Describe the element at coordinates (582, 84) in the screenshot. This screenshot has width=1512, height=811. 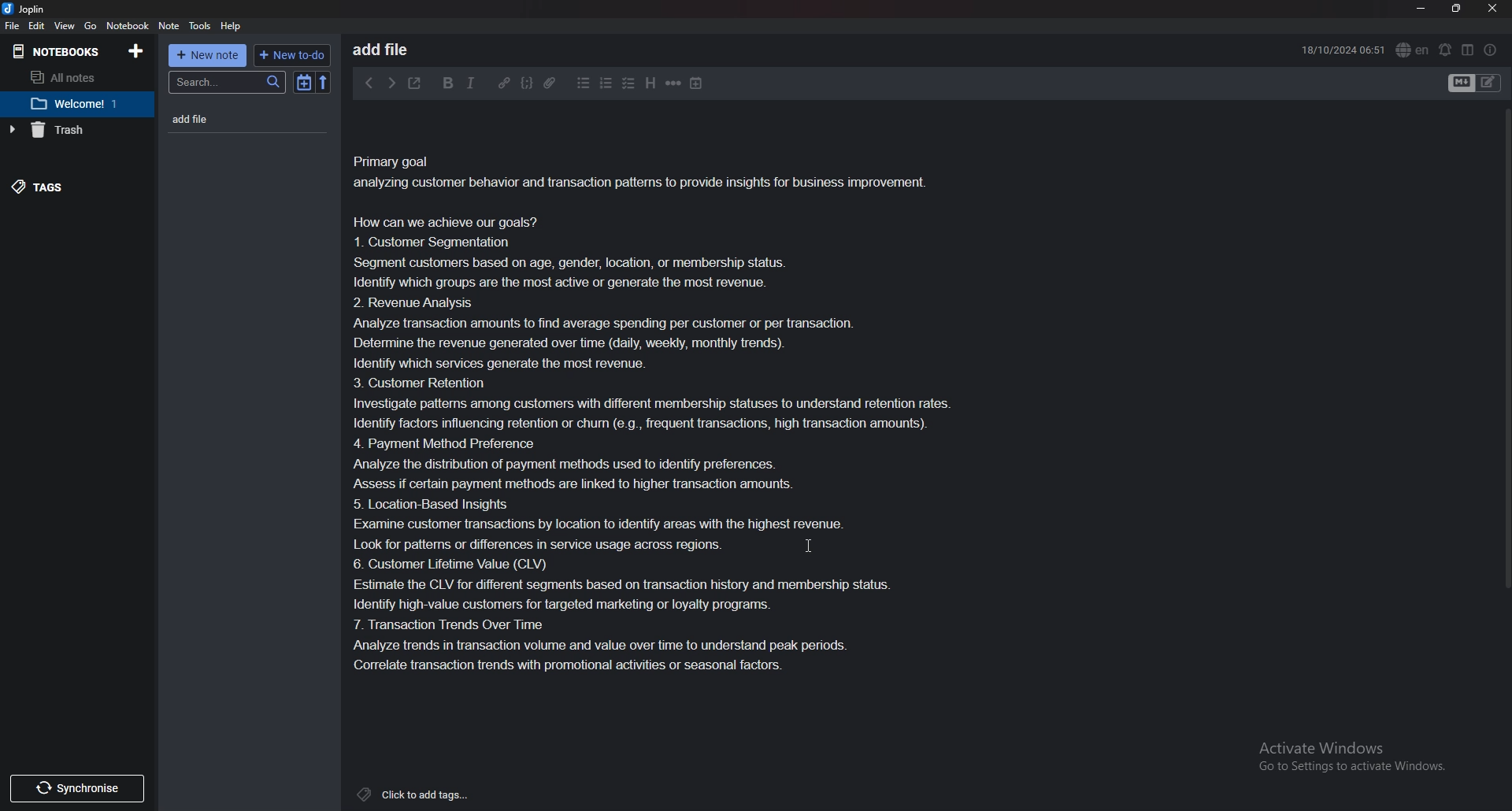
I see `Bullet list` at that location.